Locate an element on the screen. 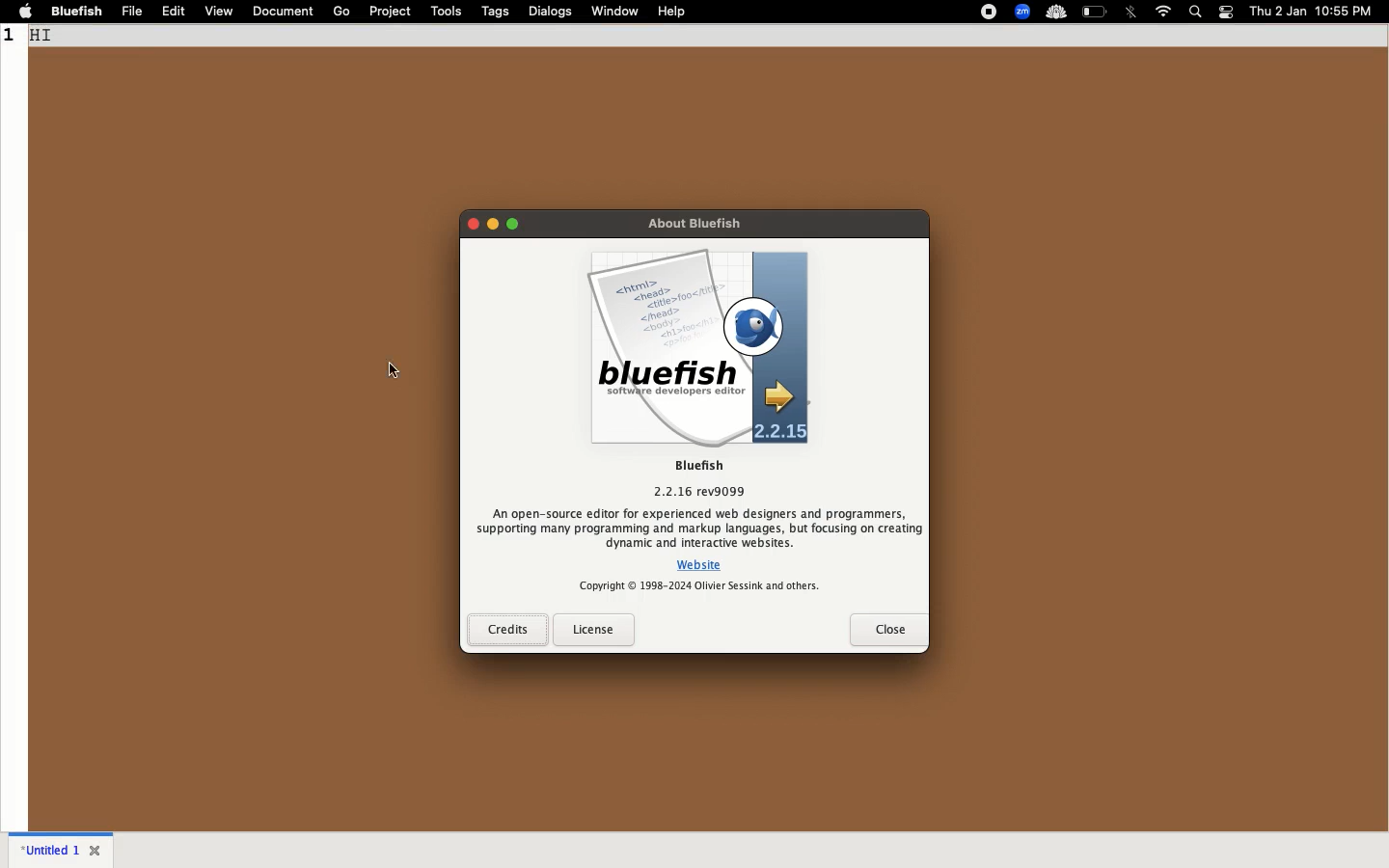 The height and width of the screenshot is (868, 1389). tags is located at coordinates (498, 12).